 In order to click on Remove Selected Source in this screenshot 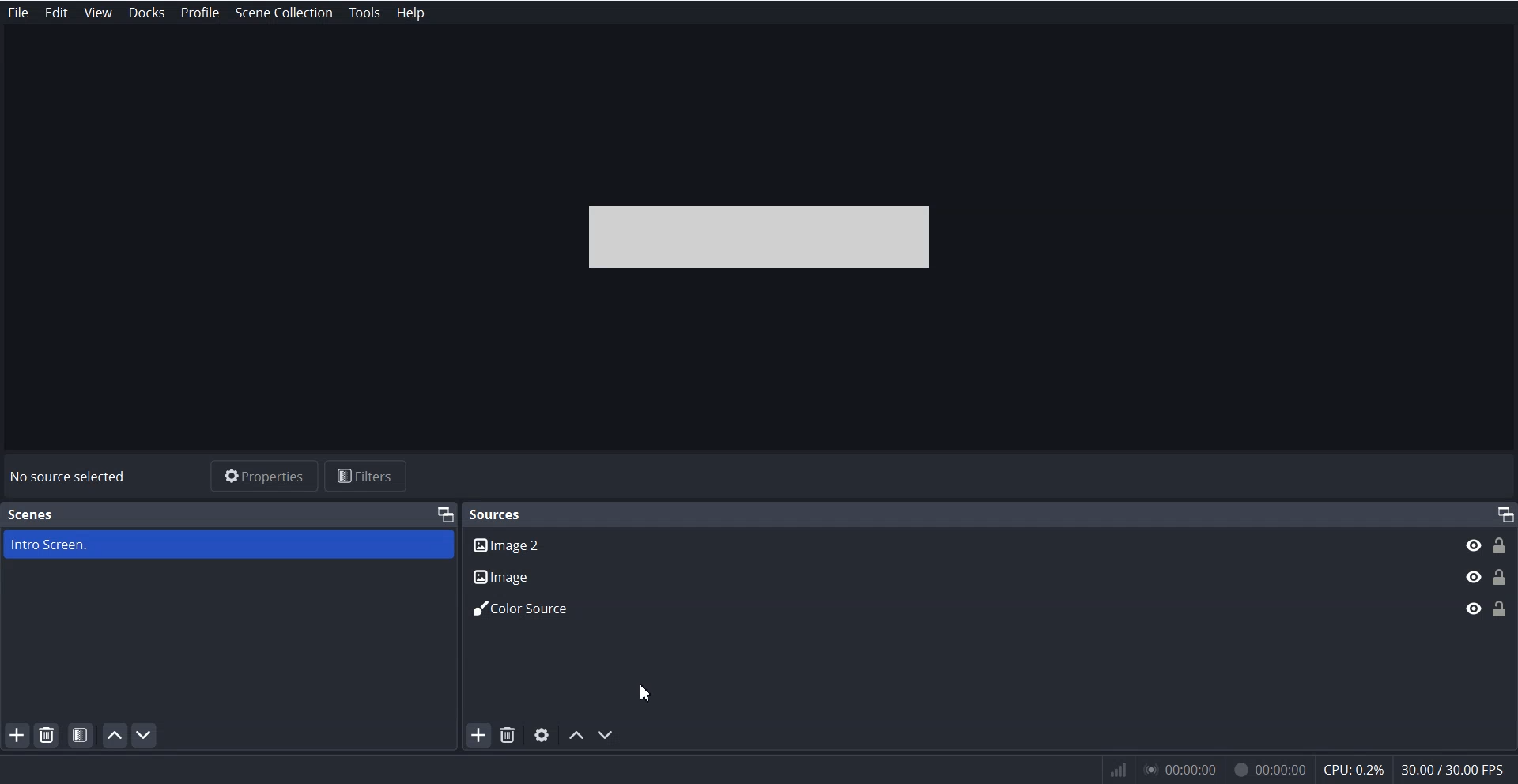, I will do `click(508, 736)`.